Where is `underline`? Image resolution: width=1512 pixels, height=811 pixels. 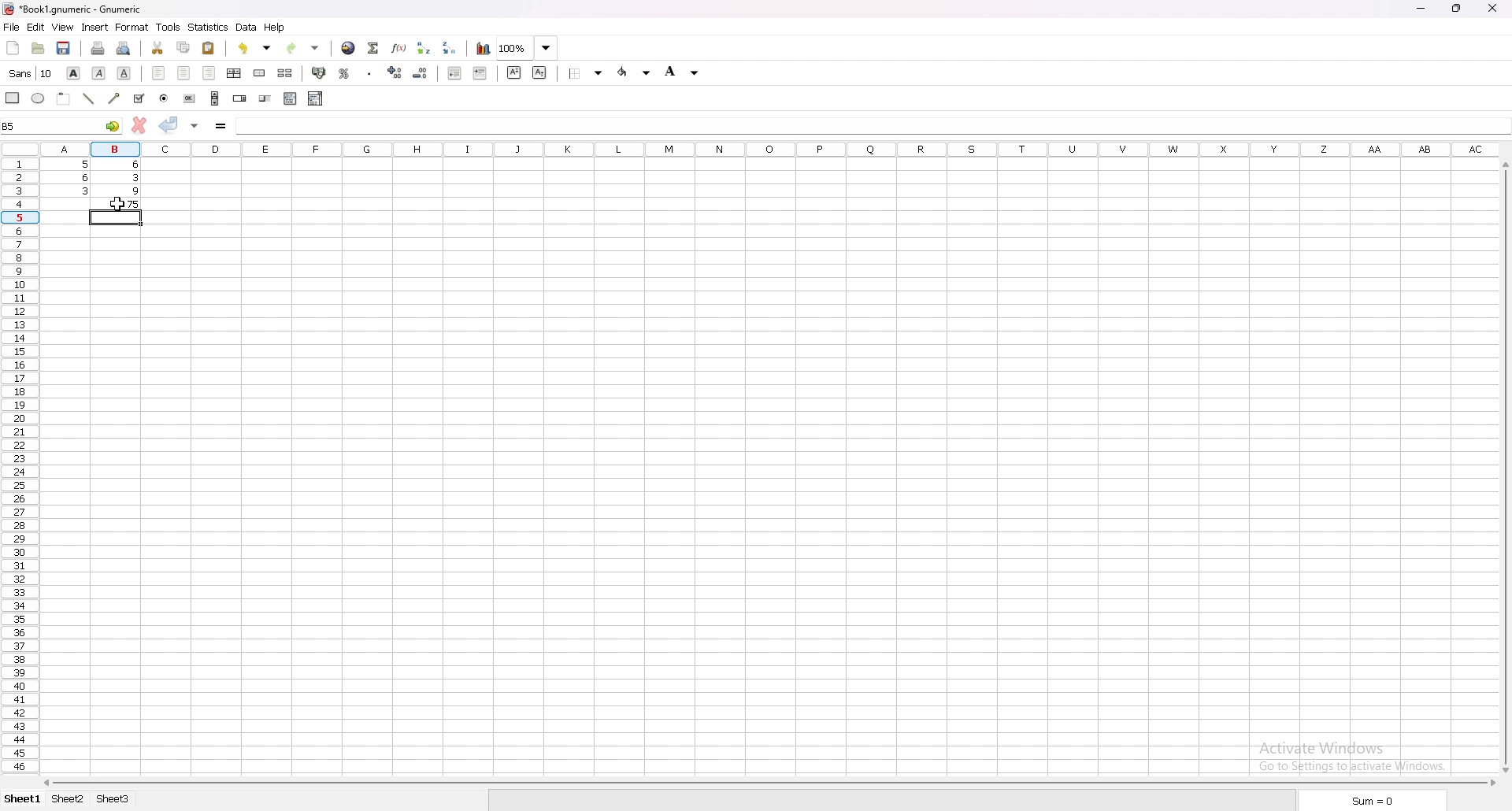 underline is located at coordinates (125, 72).